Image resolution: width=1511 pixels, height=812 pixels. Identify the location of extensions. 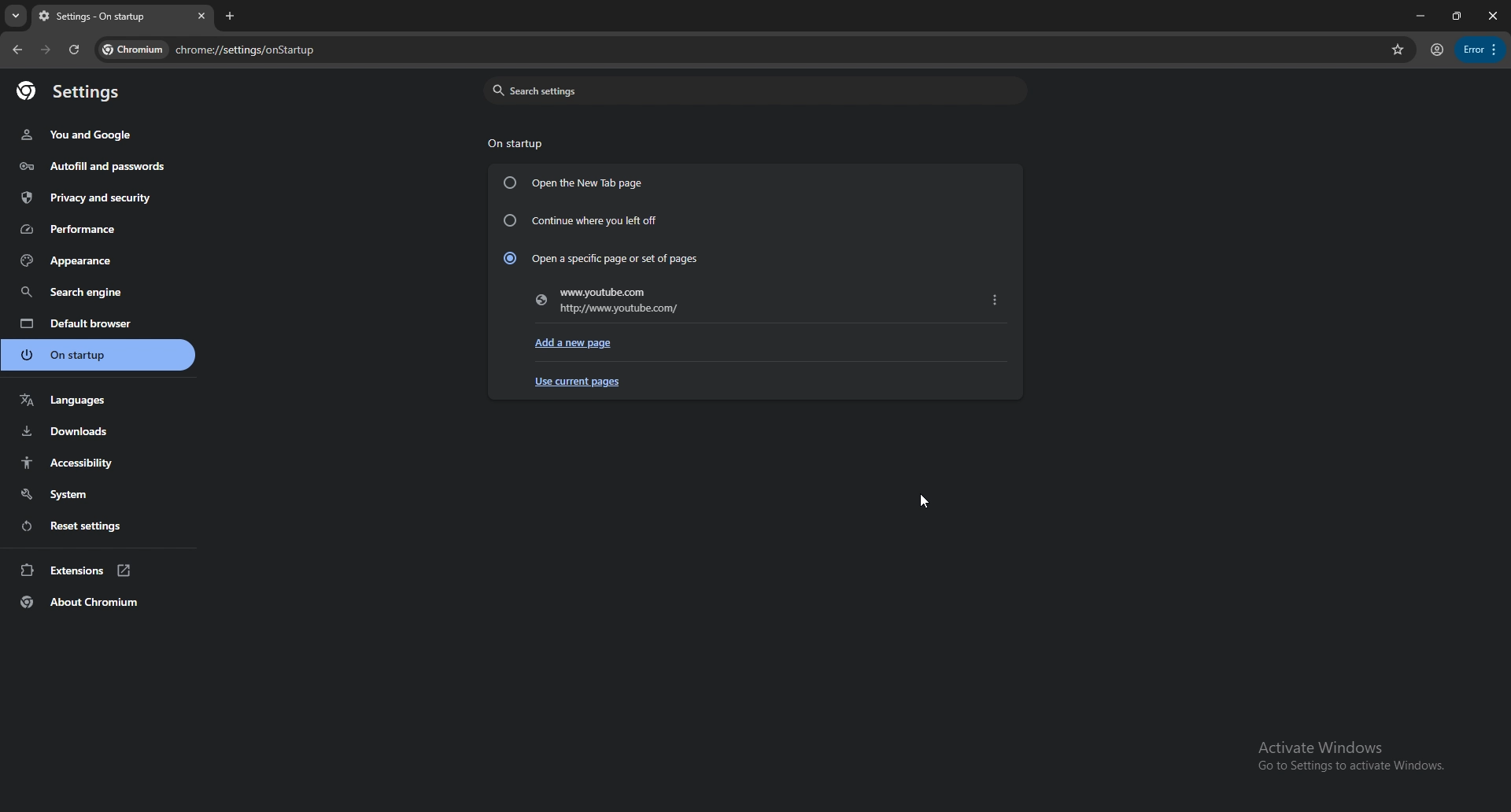
(99, 570).